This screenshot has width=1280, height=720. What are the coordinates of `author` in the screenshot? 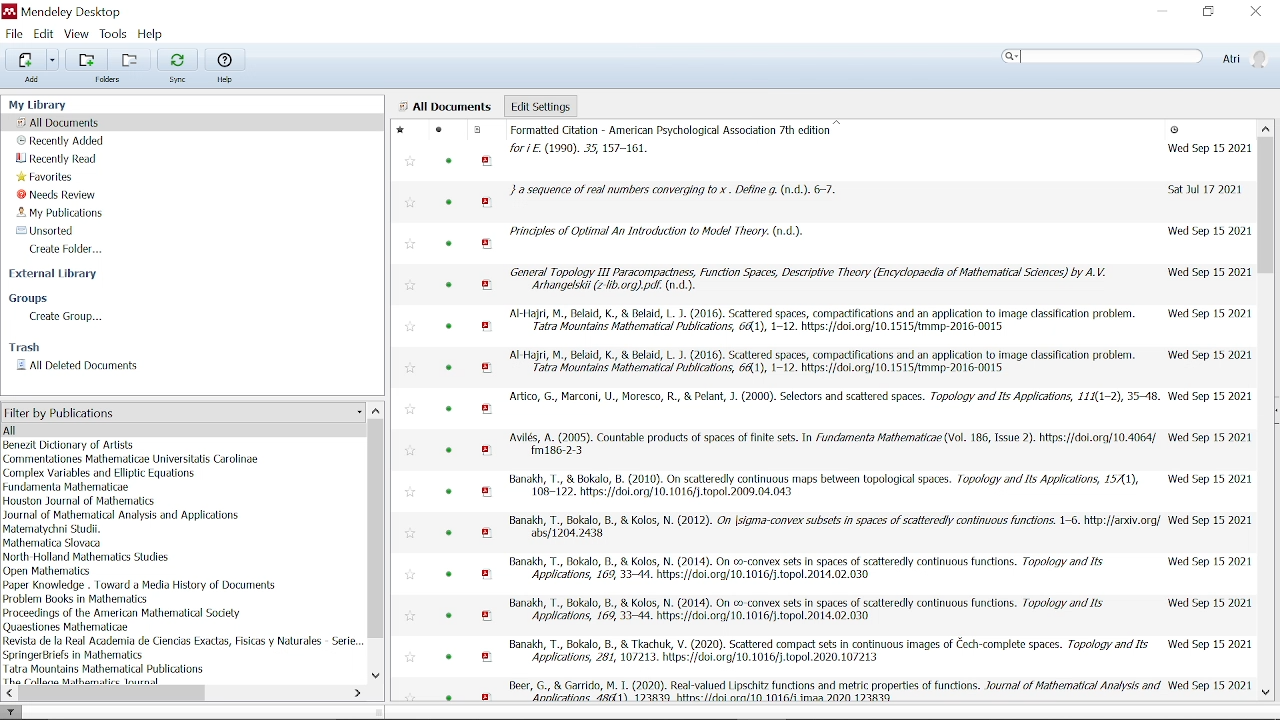 It's located at (67, 487).